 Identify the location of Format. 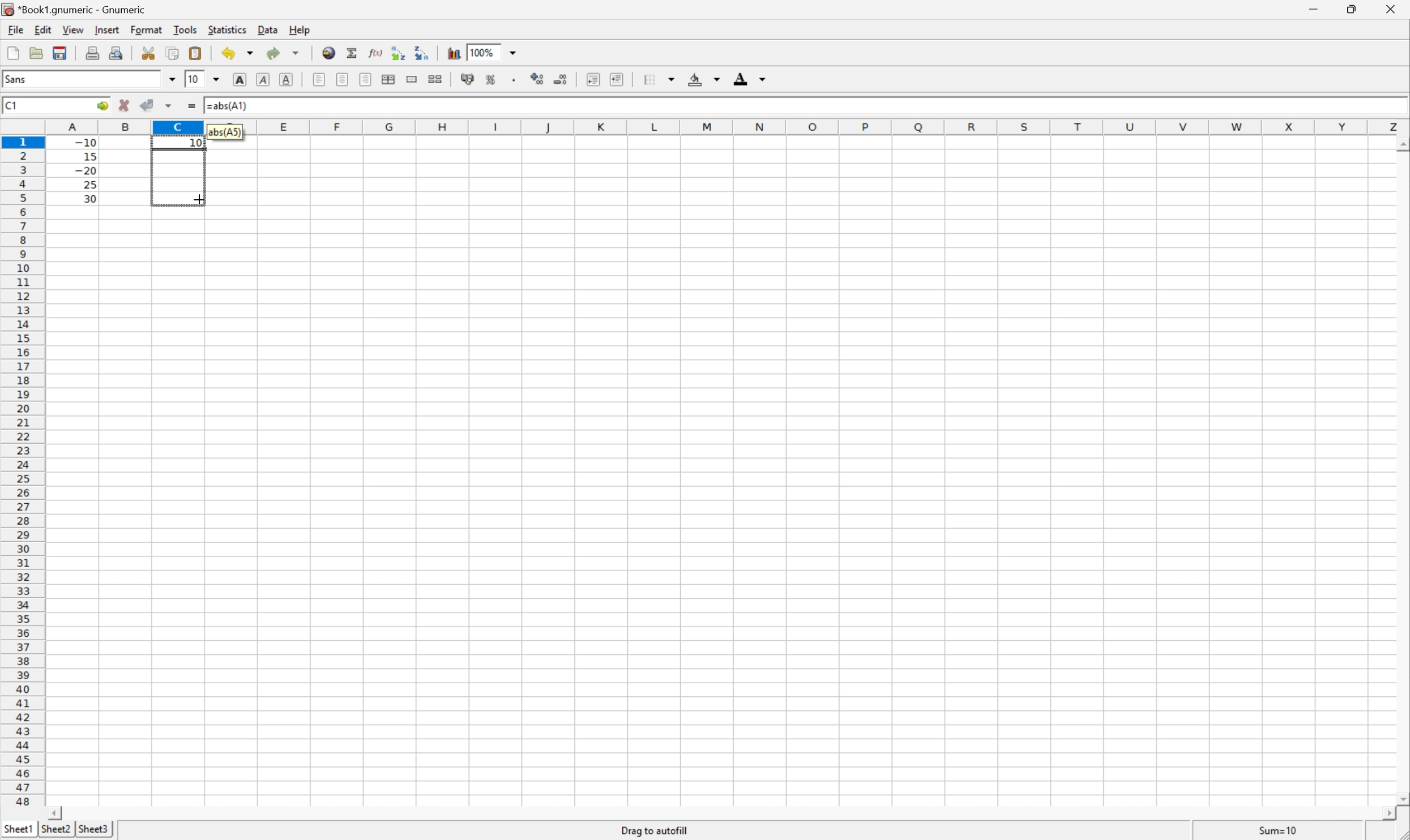
(148, 28).